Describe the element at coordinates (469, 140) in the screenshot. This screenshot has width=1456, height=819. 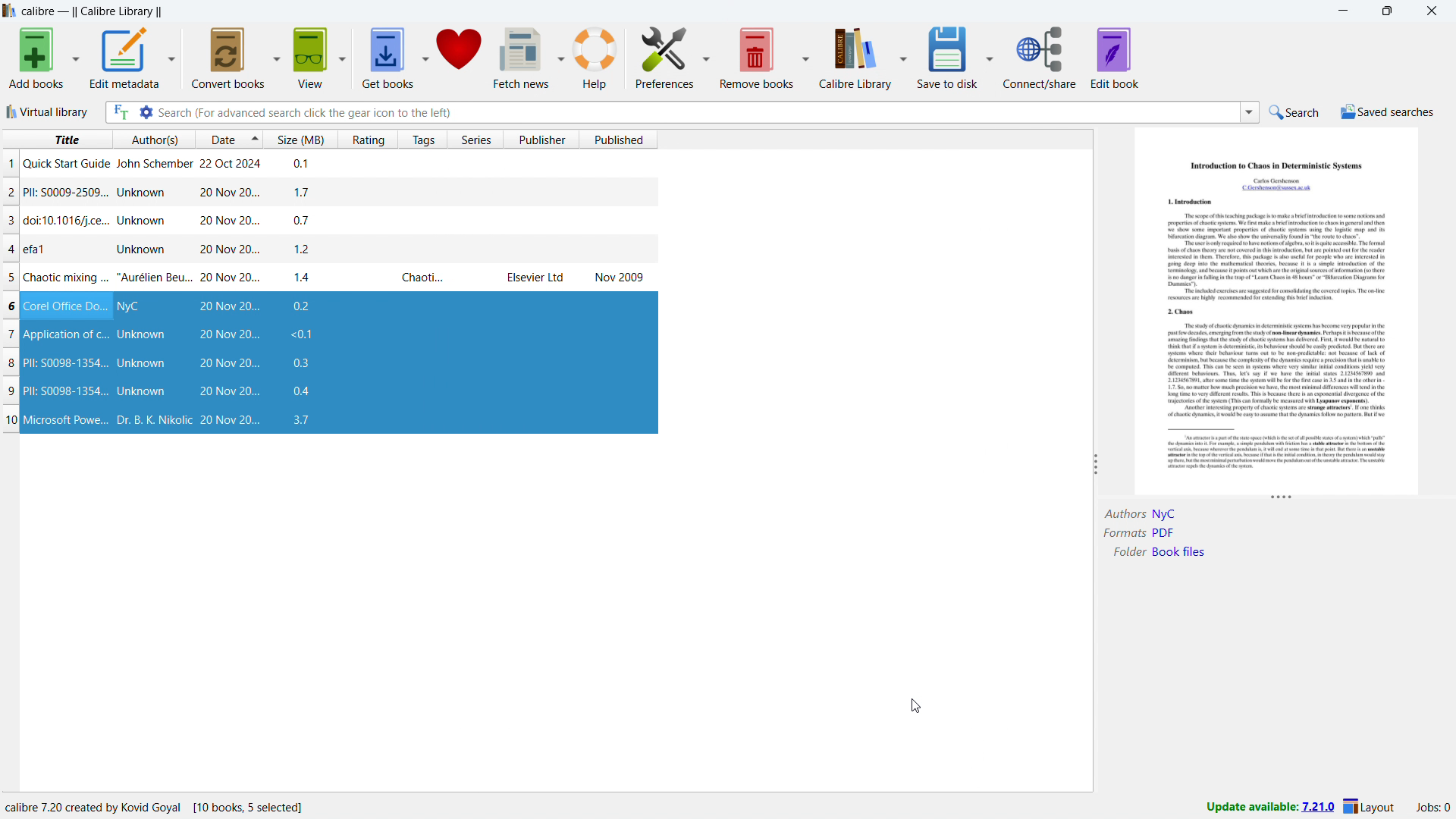
I see `sort by series` at that location.